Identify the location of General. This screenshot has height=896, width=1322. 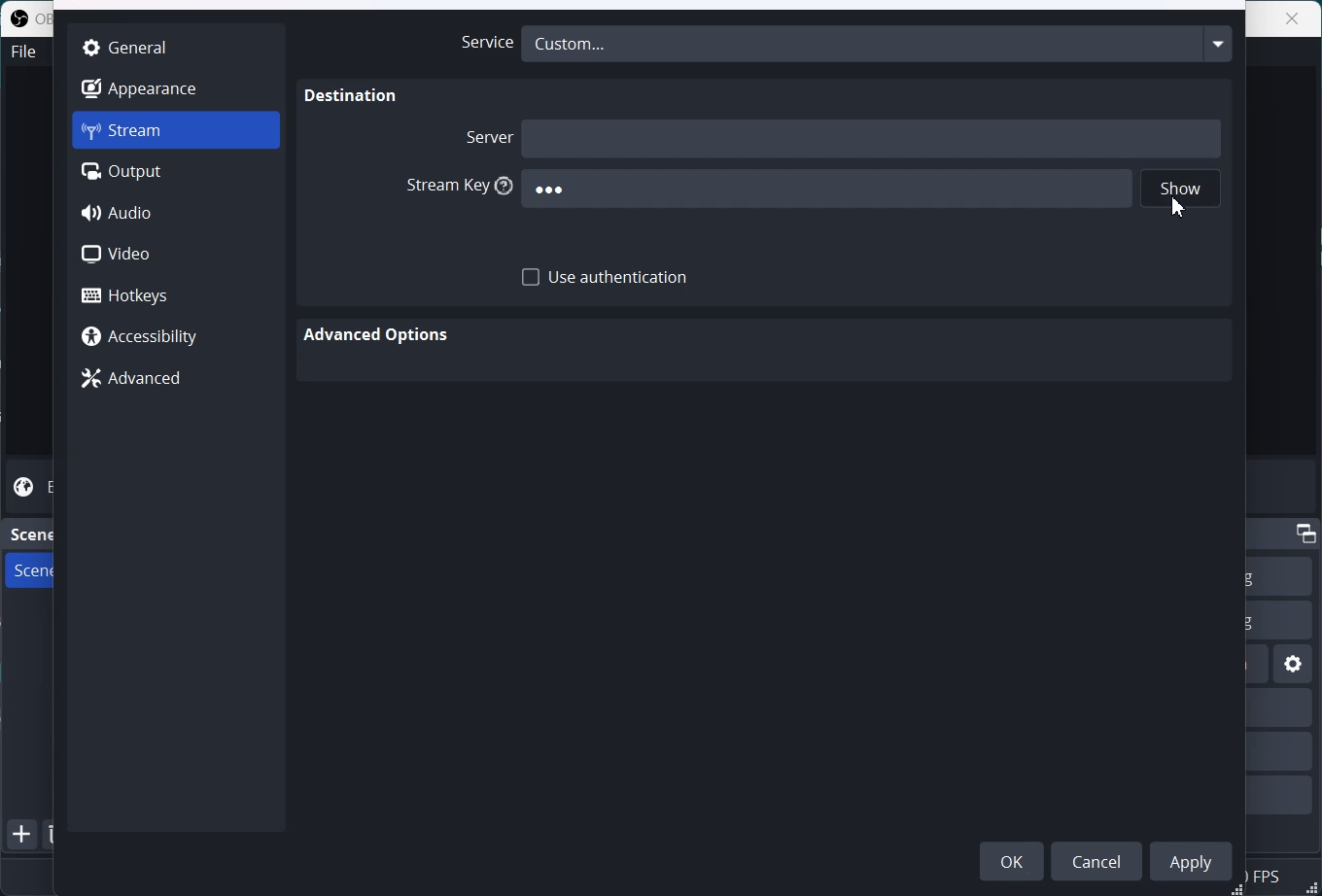
(175, 46).